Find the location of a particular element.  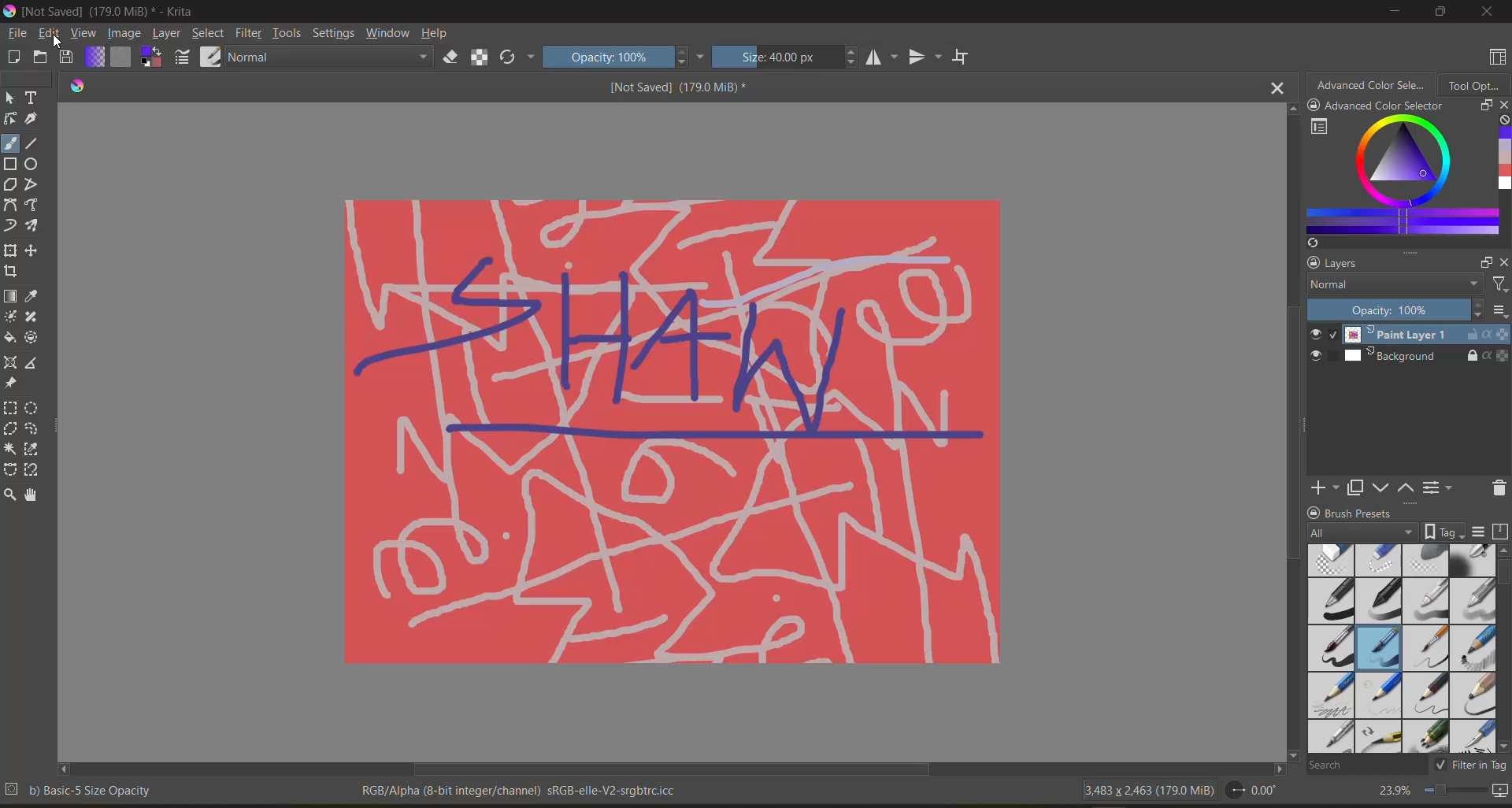

help is located at coordinates (439, 33).